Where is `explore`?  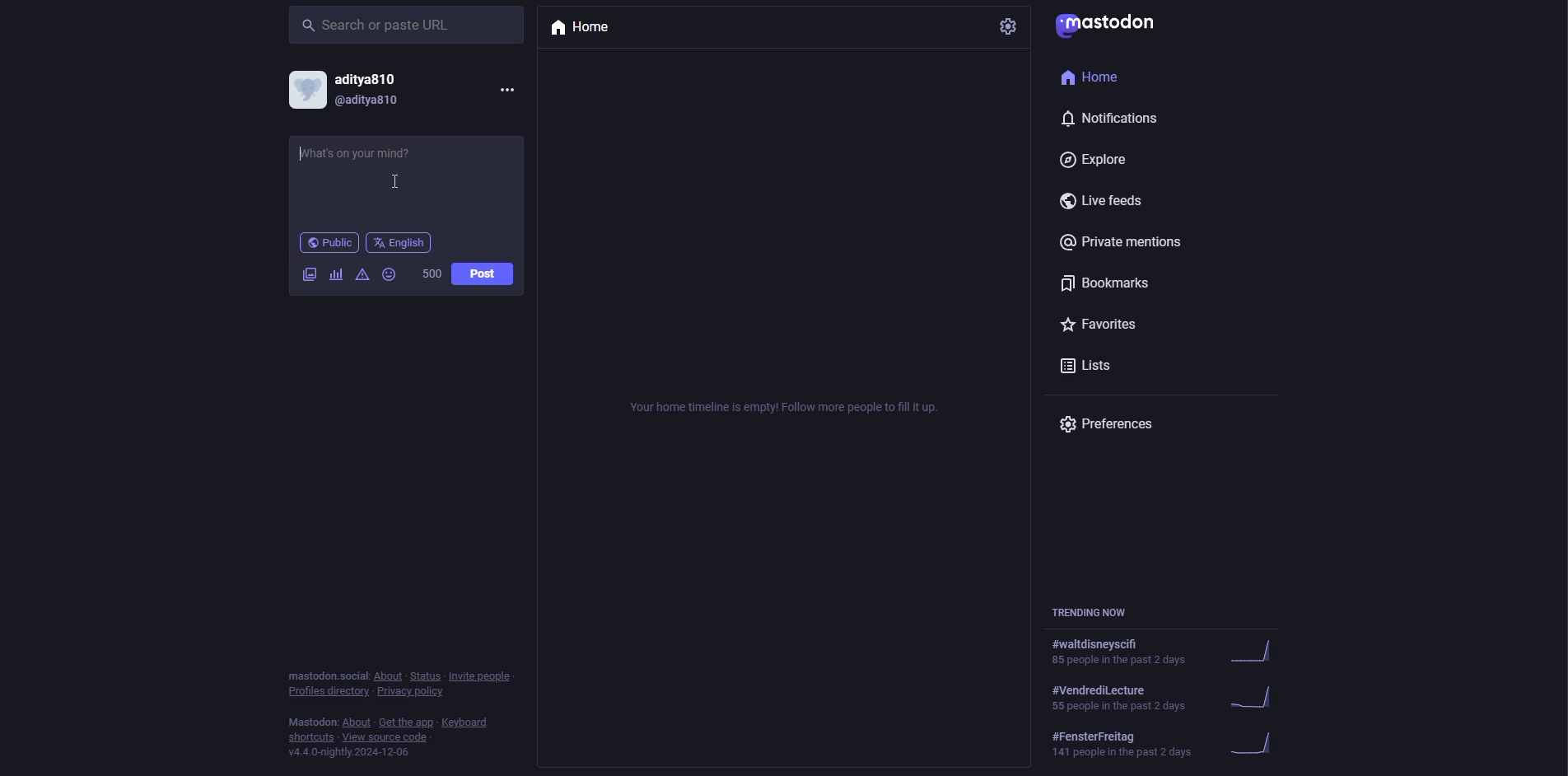 explore is located at coordinates (1094, 160).